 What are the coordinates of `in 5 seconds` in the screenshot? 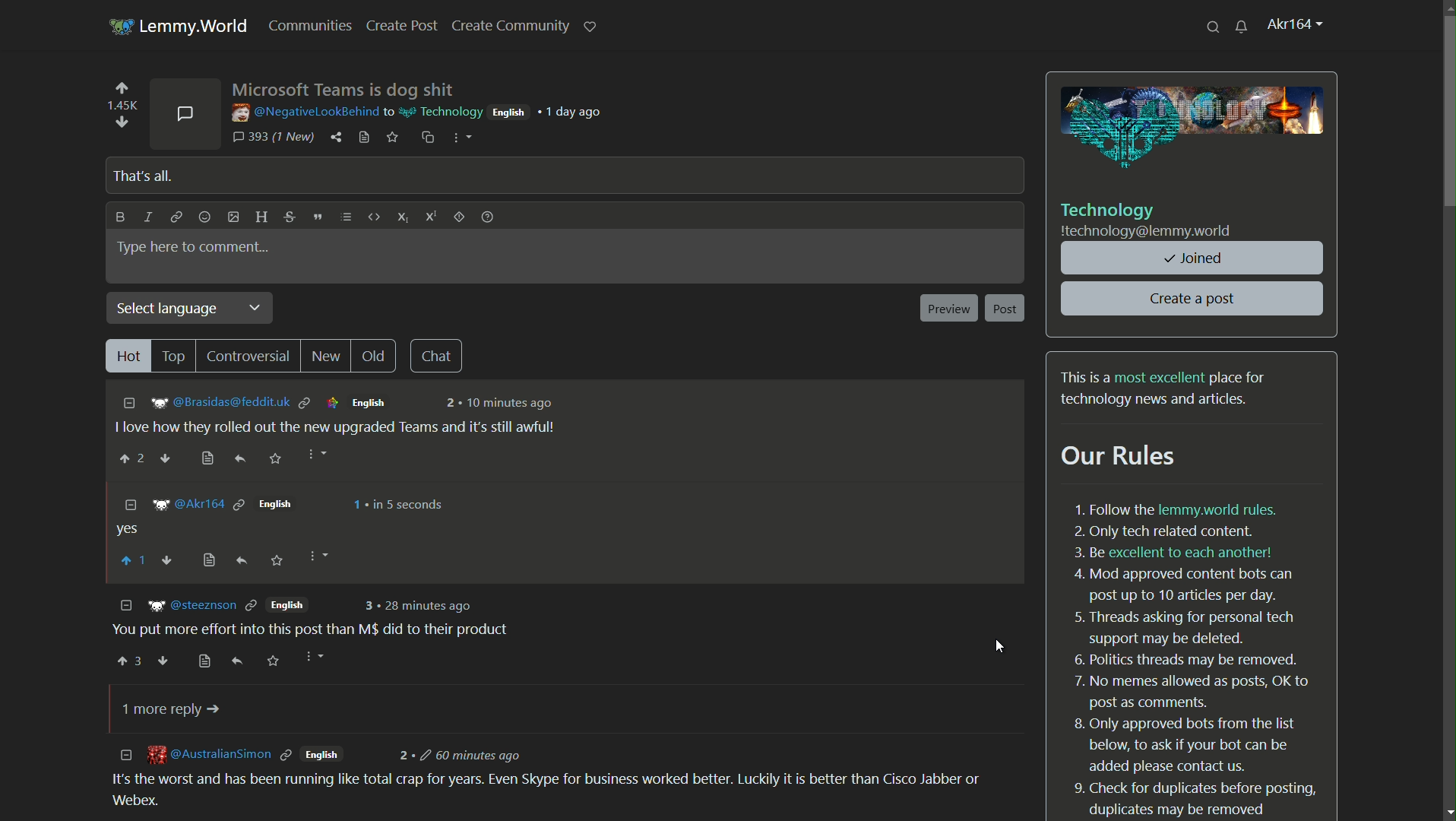 It's located at (403, 504).